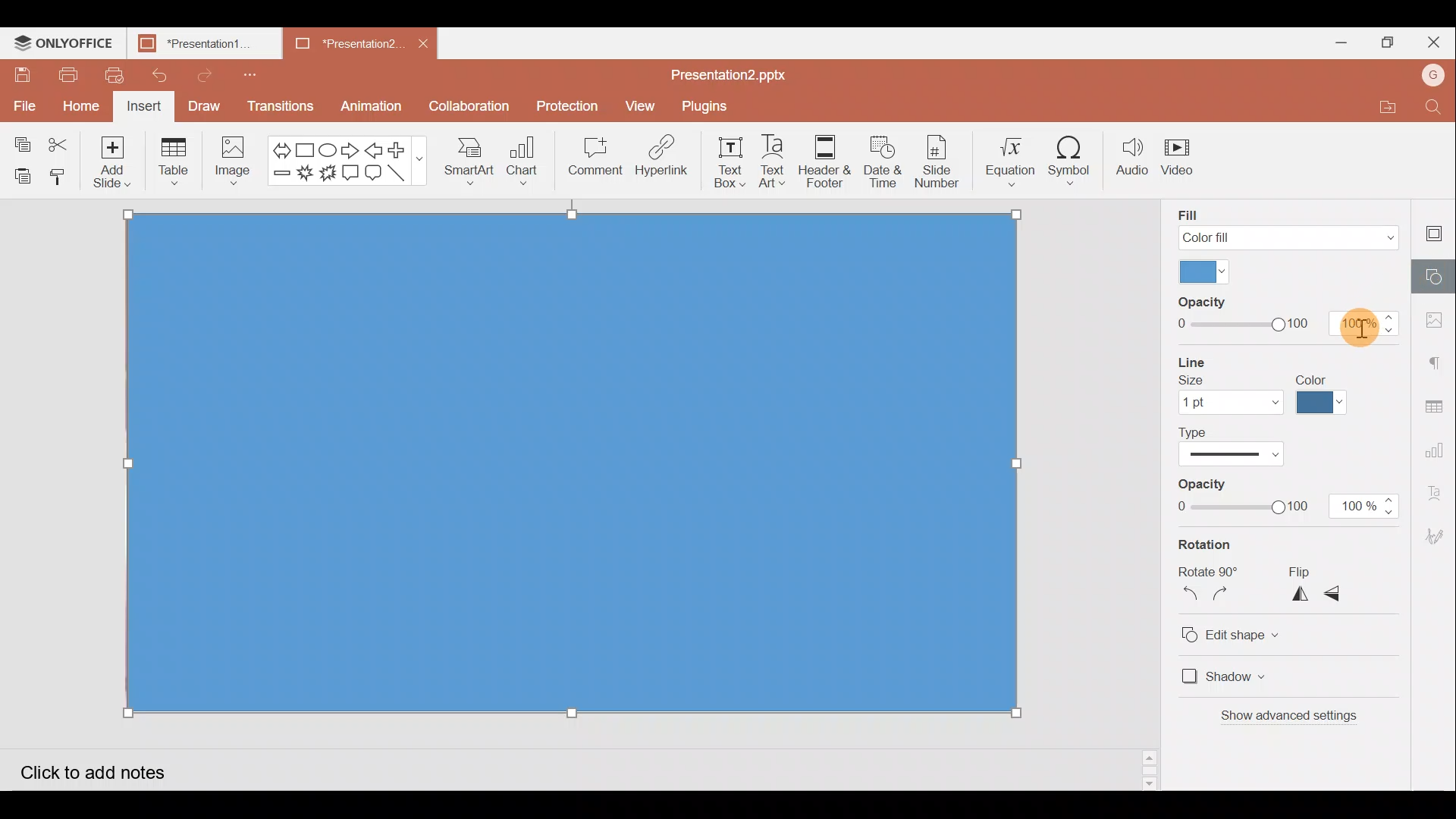 This screenshot has width=1456, height=819. What do you see at coordinates (1010, 158) in the screenshot?
I see `Equation` at bounding box center [1010, 158].